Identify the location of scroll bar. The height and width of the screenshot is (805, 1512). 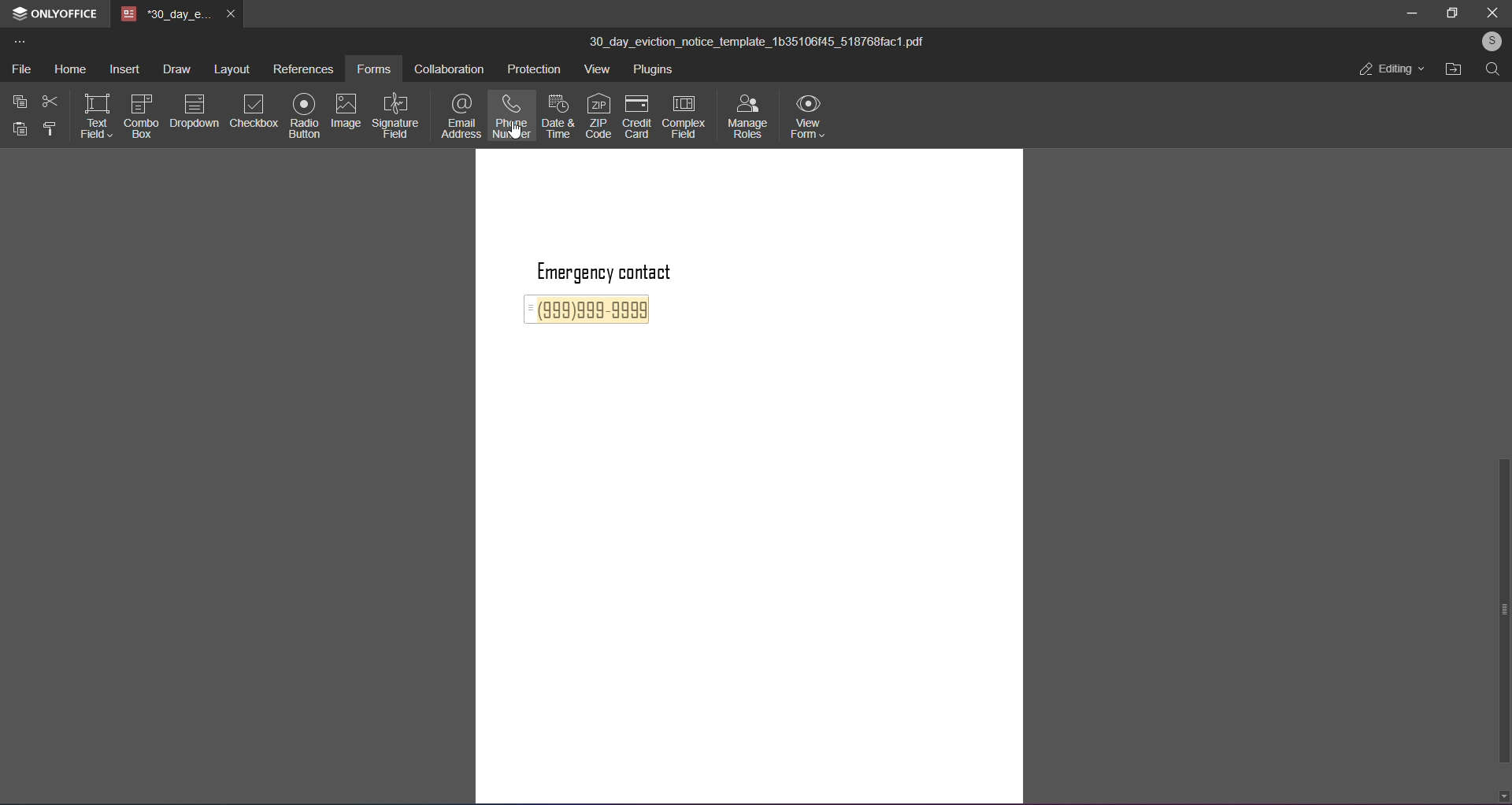
(1502, 611).